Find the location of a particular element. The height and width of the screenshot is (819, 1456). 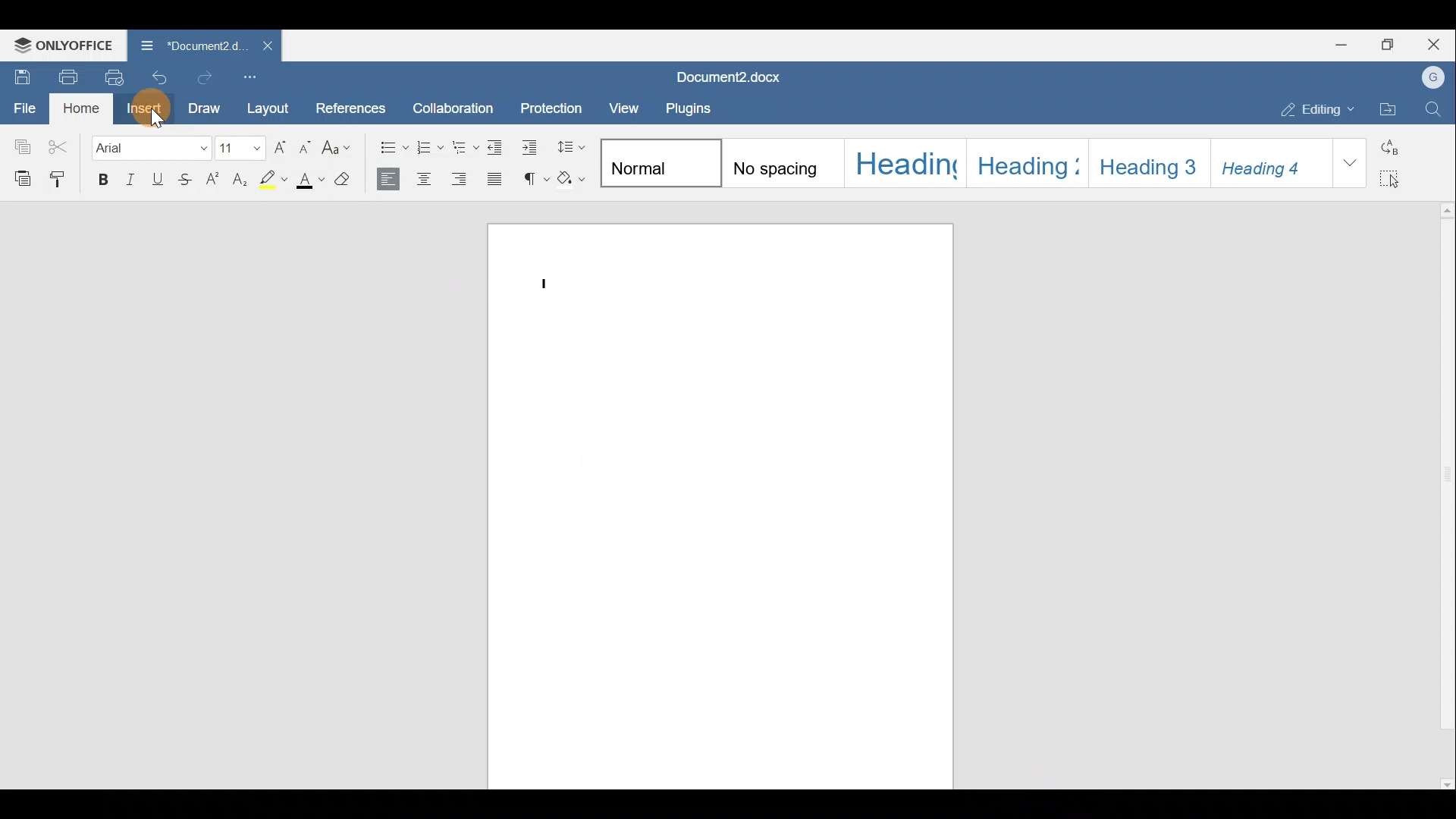

Undo is located at coordinates (163, 76).